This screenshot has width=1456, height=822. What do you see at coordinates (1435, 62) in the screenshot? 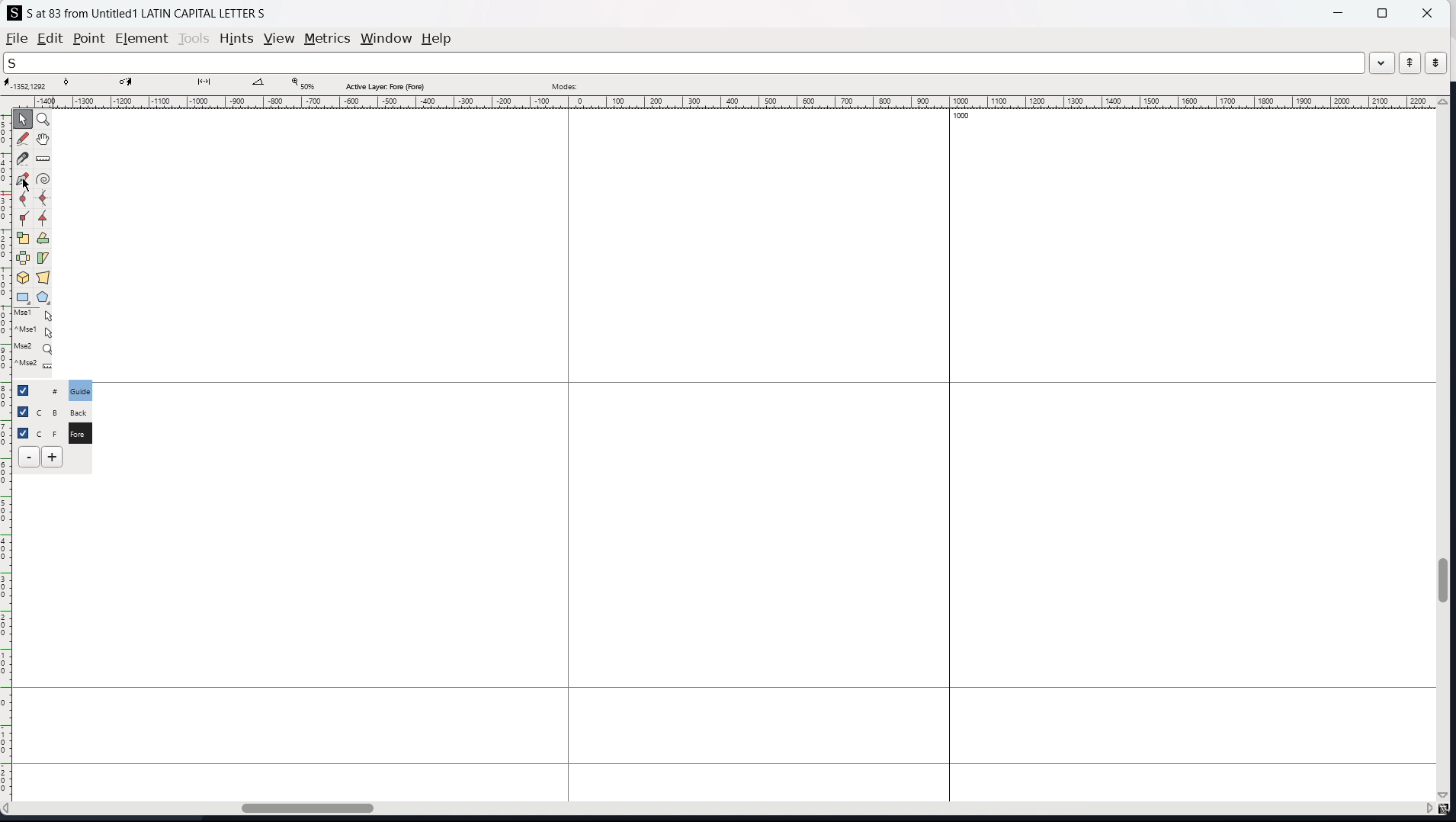
I see `next word in the word list` at bounding box center [1435, 62].